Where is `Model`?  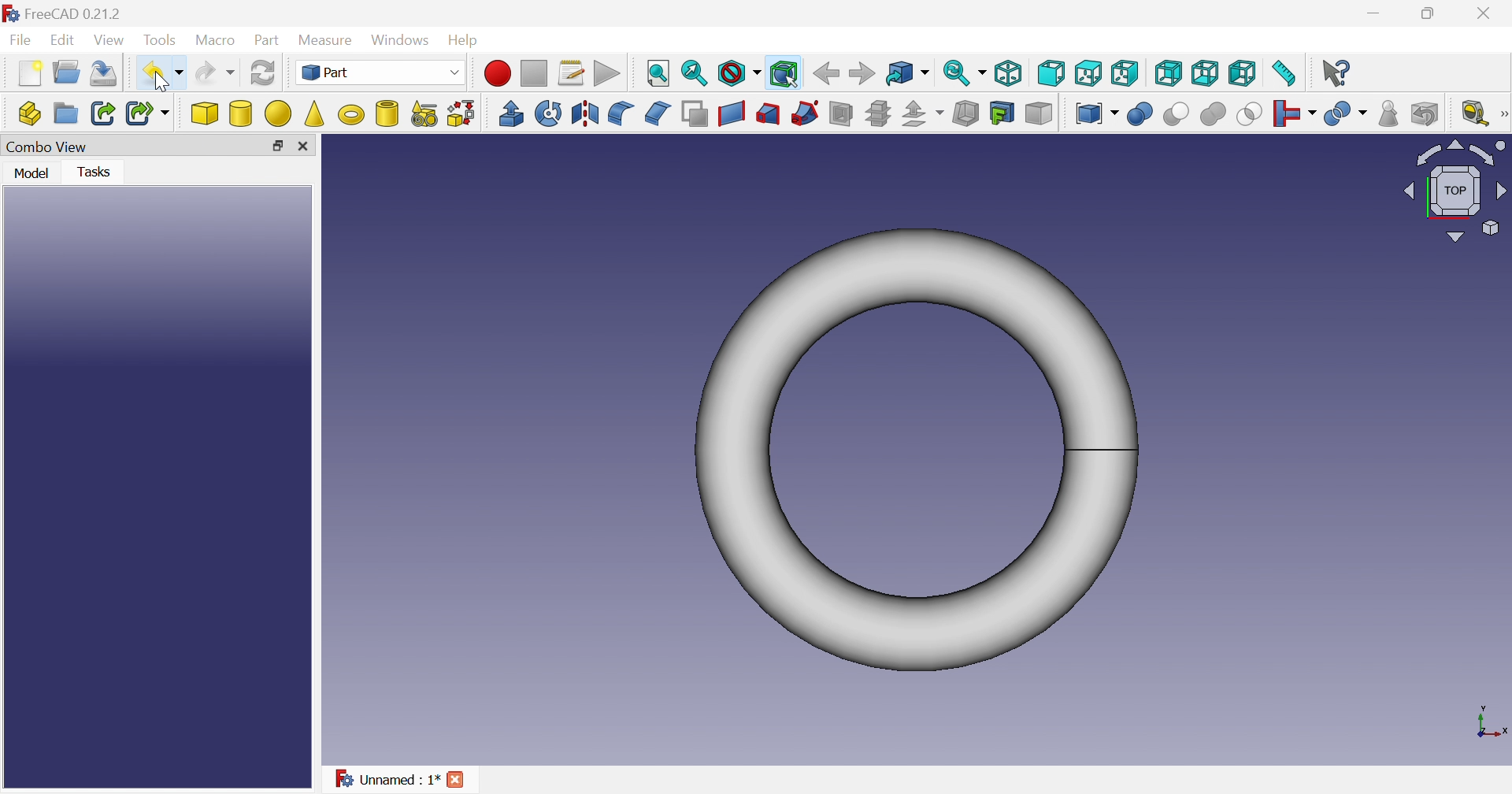
Model is located at coordinates (34, 174).